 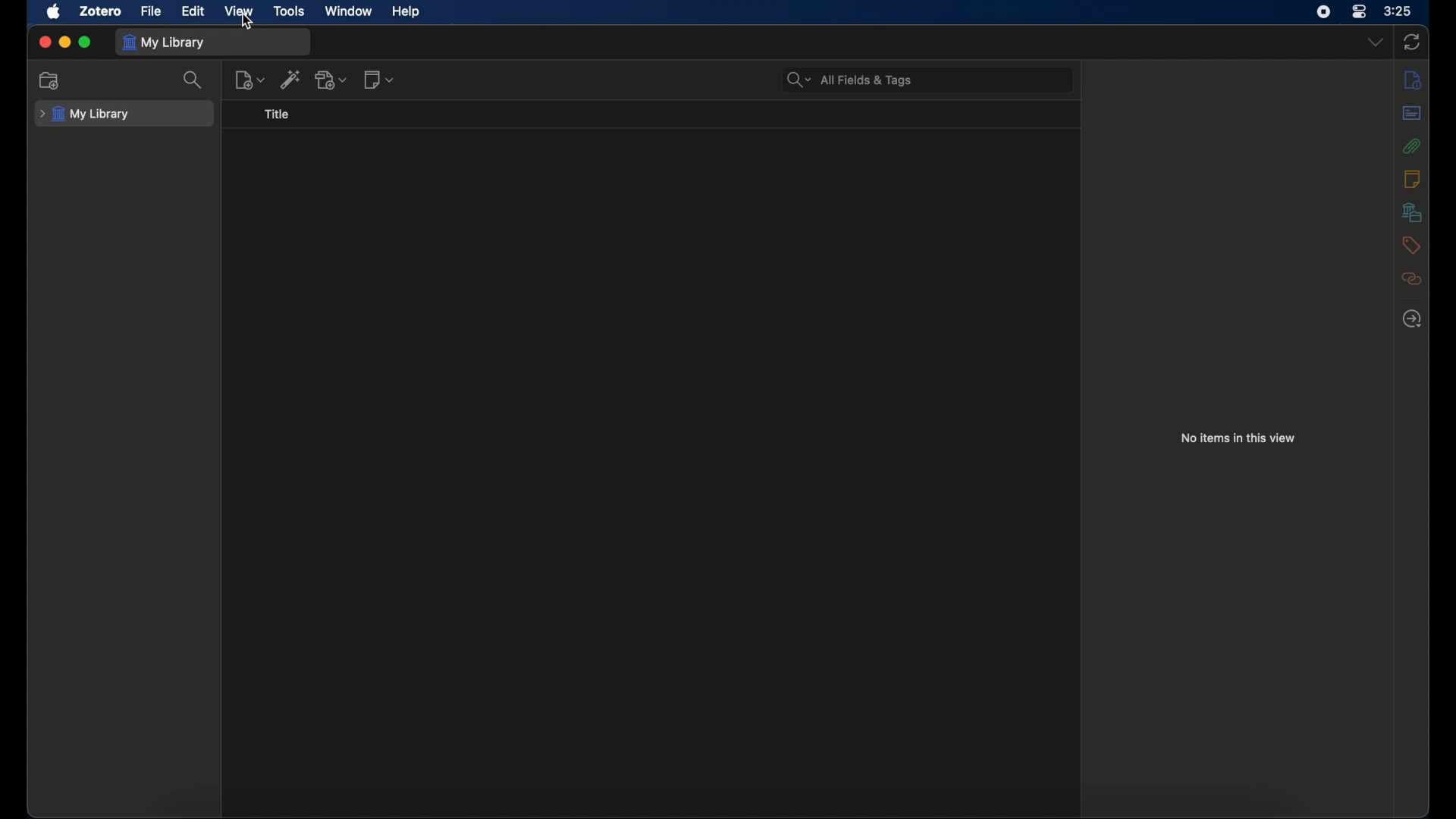 I want to click on add item b y identifier, so click(x=290, y=79).